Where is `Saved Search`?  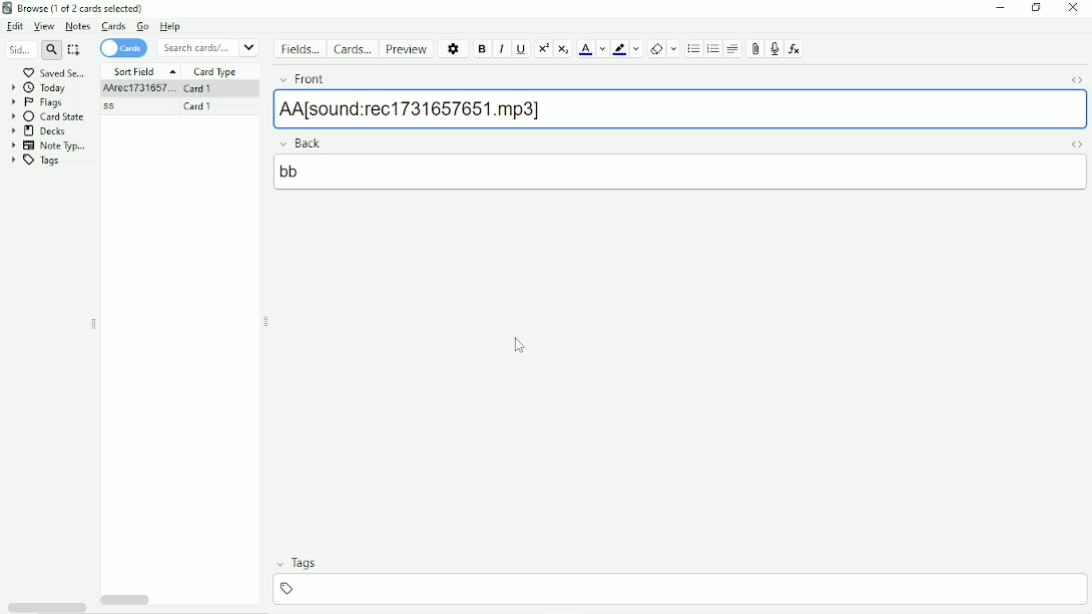
Saved Search is located at coordinates (54, 73).